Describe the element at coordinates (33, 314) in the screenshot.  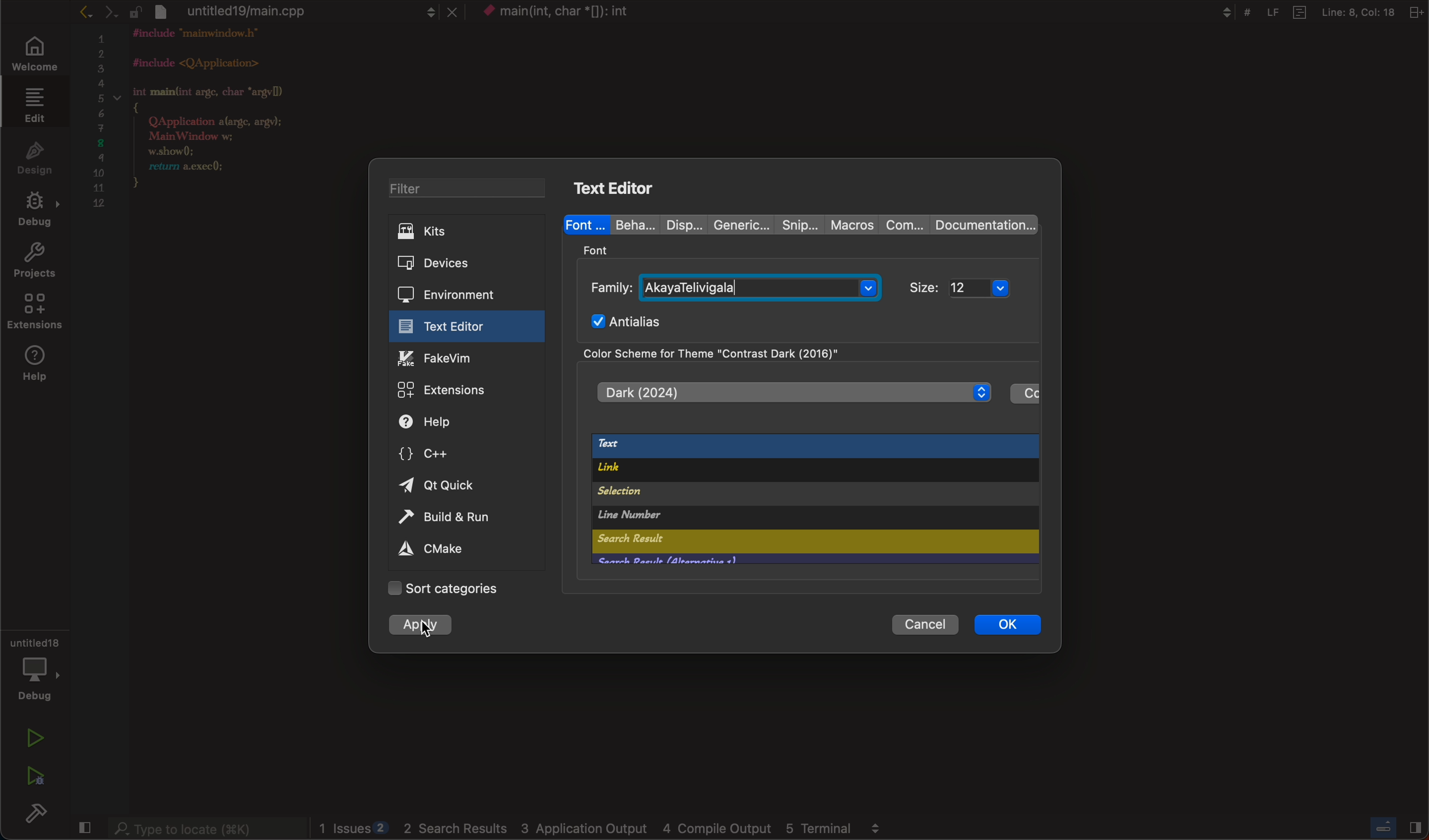
I see `extensions` at that location.